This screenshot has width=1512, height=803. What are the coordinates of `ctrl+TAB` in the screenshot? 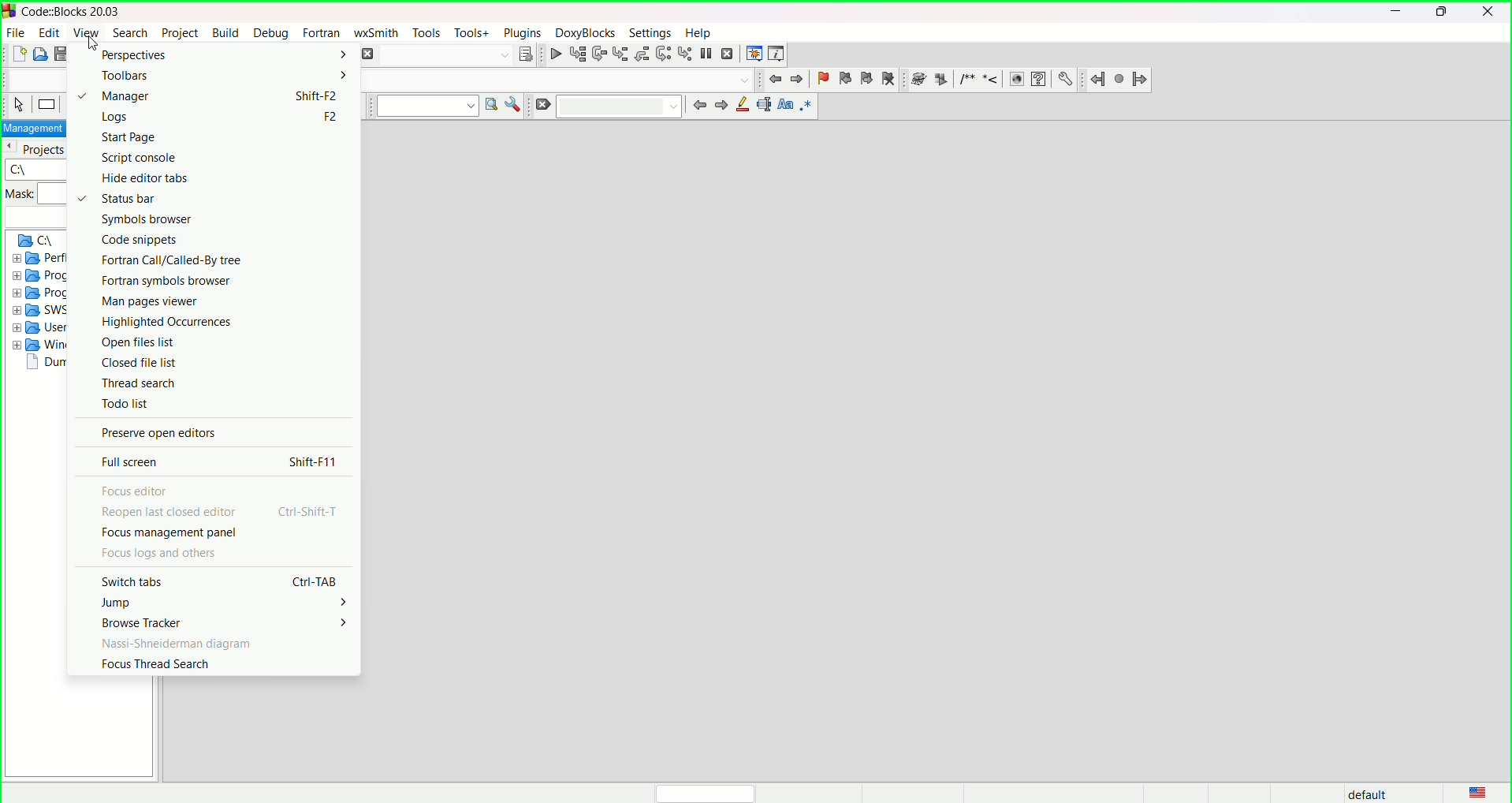 It's located at (312, 581).